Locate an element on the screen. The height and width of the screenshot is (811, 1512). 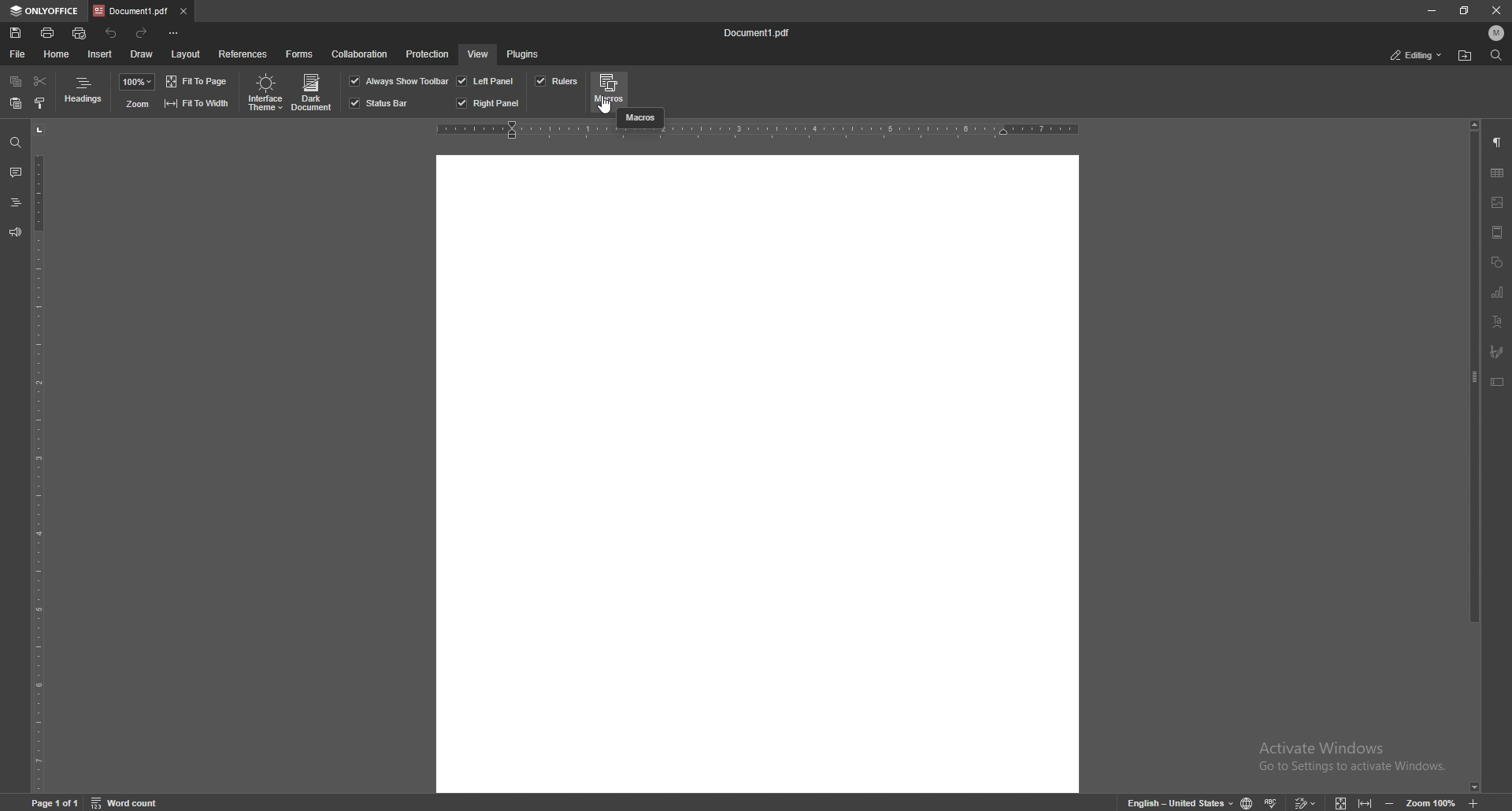
text art is located at coordinates (1497, 321).